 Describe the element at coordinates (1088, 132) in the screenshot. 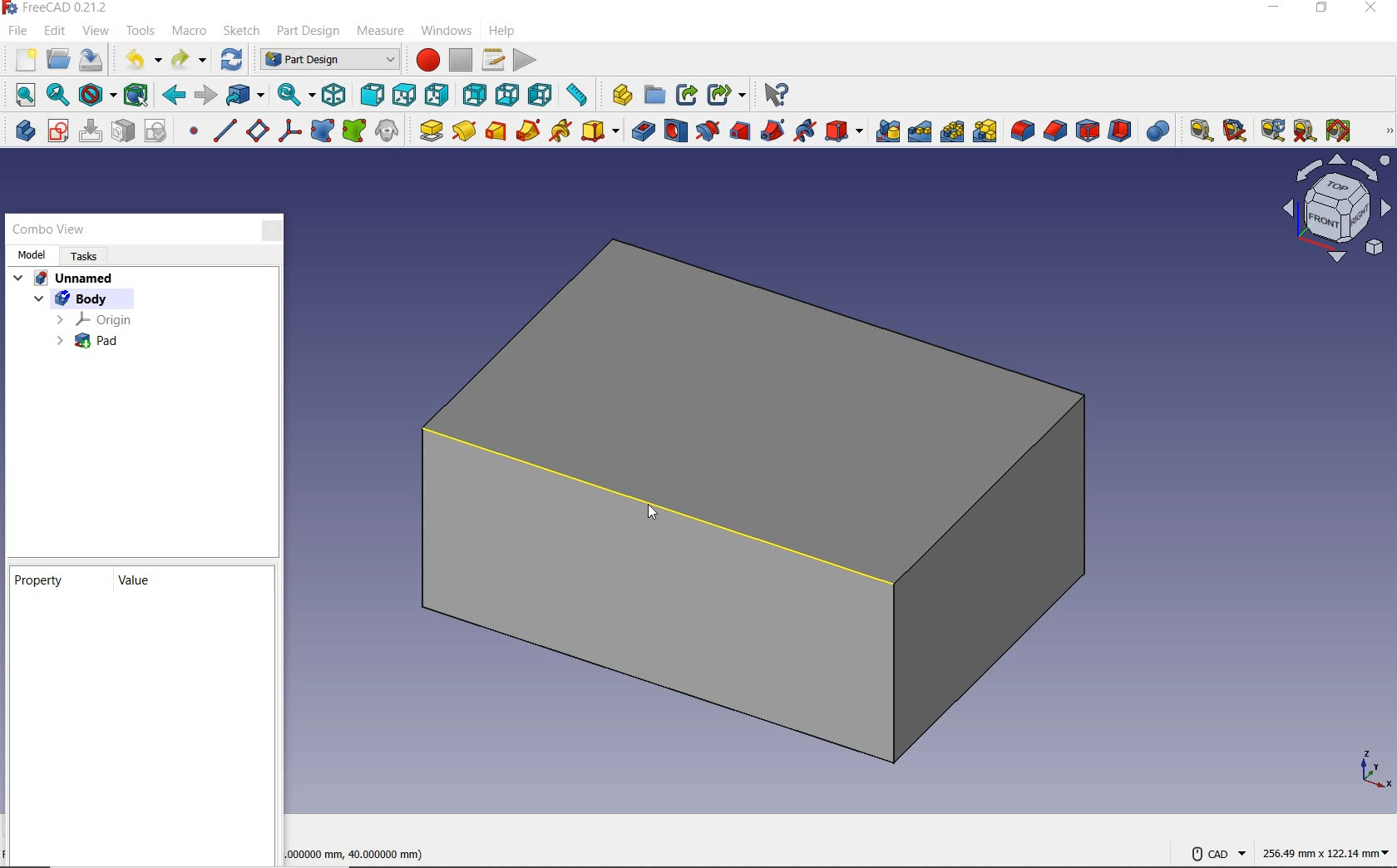

I see `draft` at that location.